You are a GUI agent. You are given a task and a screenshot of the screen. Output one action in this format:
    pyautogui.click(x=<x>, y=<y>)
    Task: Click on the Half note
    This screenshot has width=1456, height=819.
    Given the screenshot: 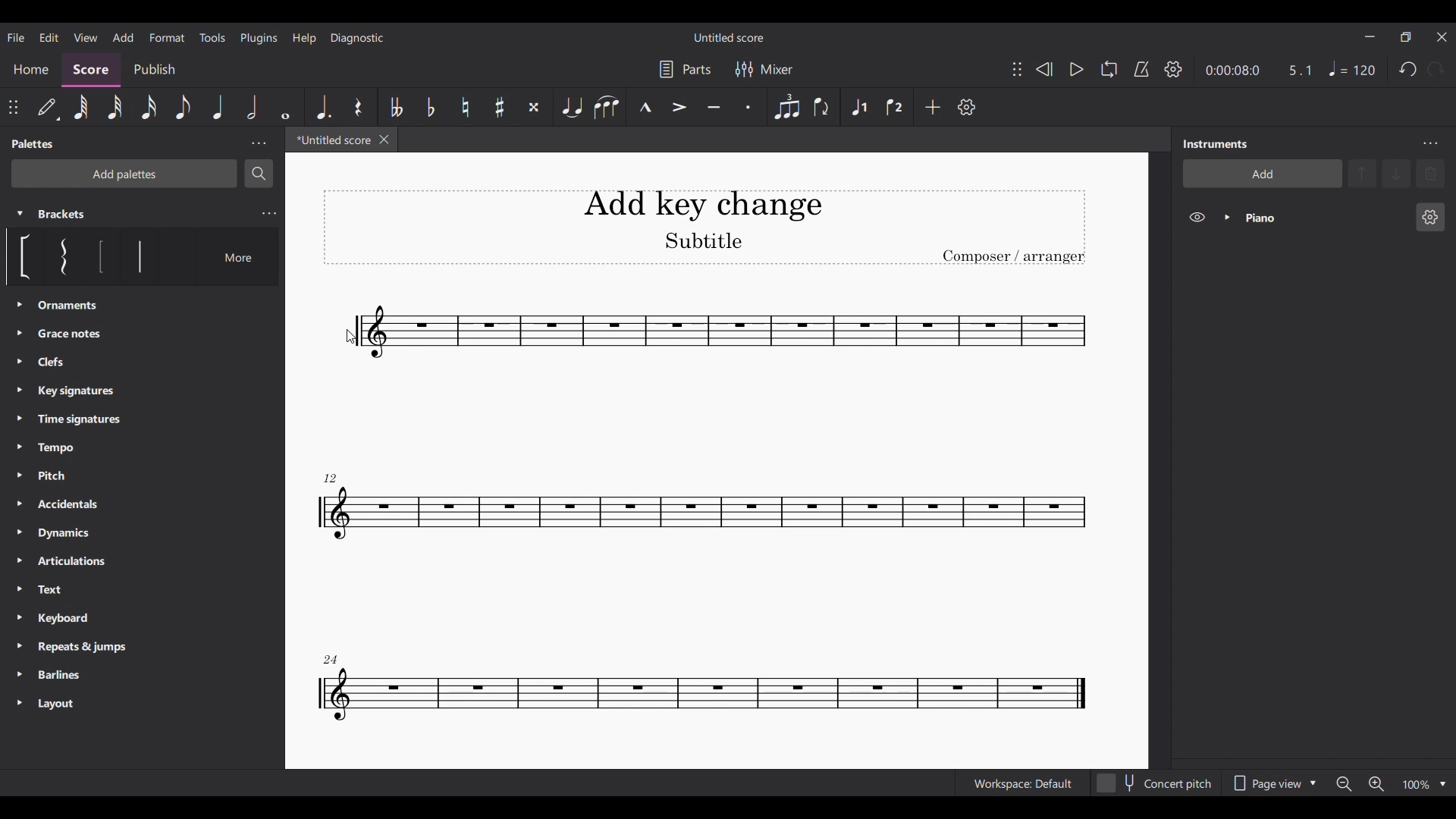 What is the action you would take?
    pyautogui.click(x=252, y=107)
    